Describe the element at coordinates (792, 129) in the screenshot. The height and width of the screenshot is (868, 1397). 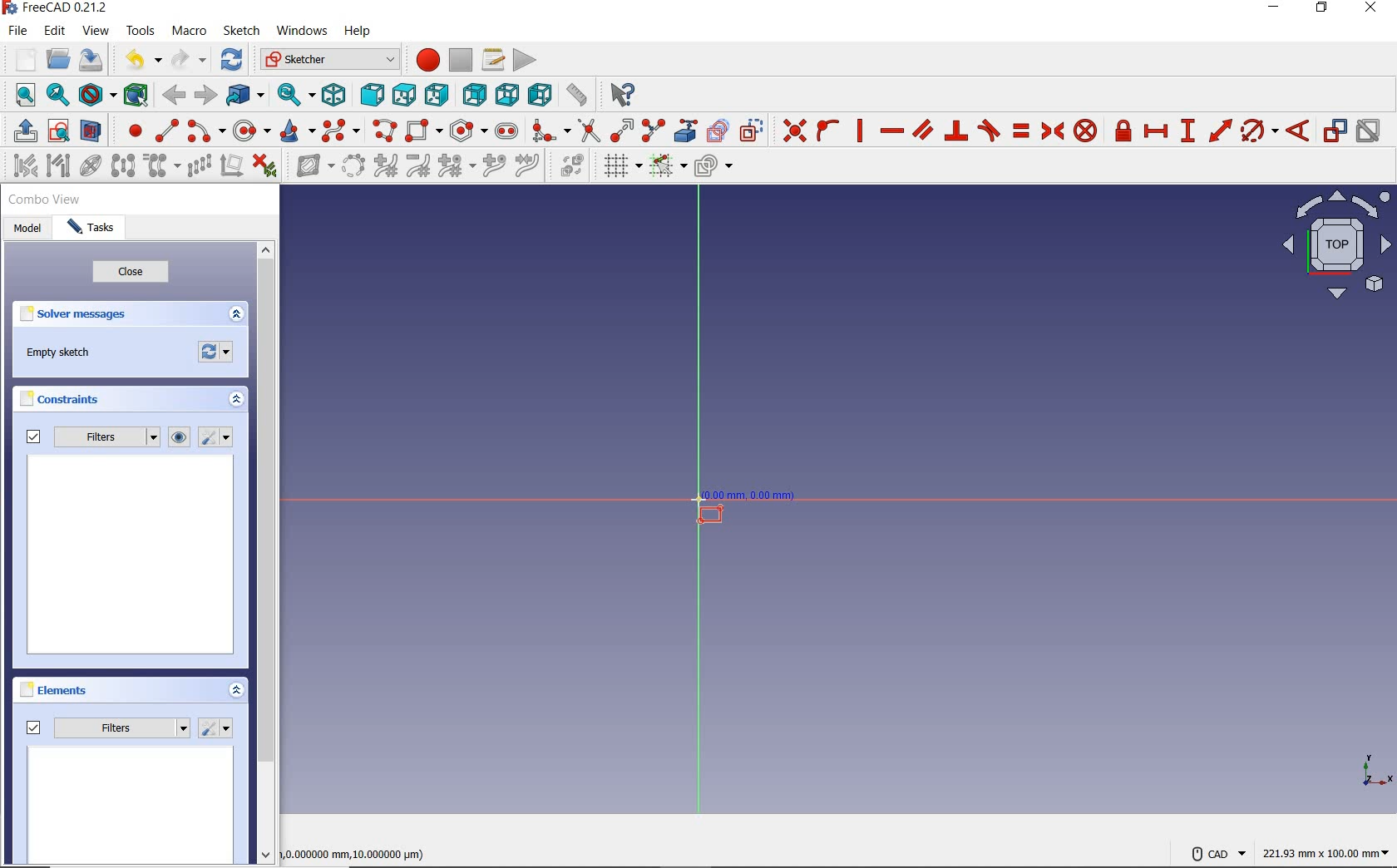
I see `constrain coincident` at that location.